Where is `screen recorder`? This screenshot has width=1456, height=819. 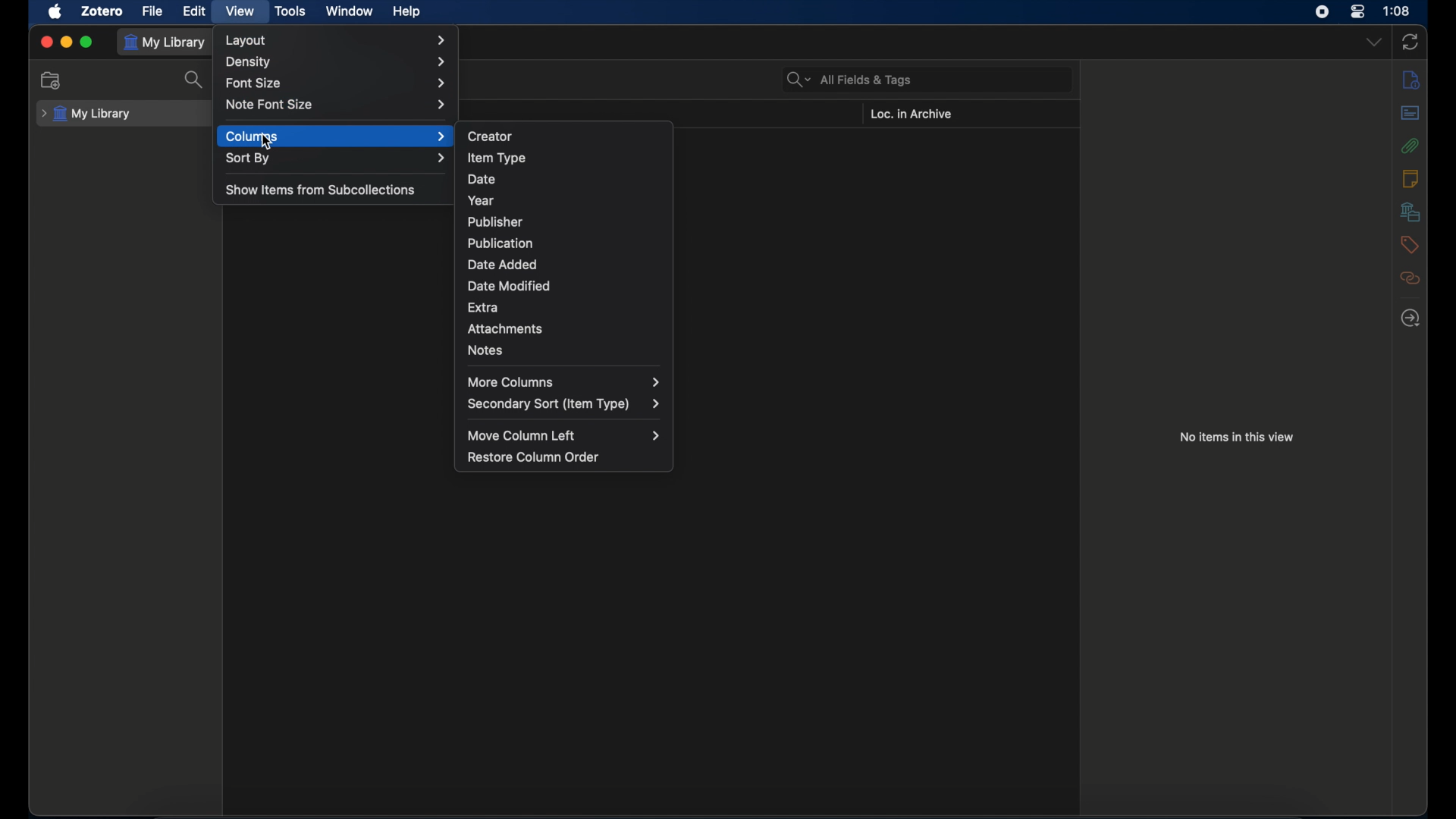 screen recorder is located at coordinates (1323, 12).